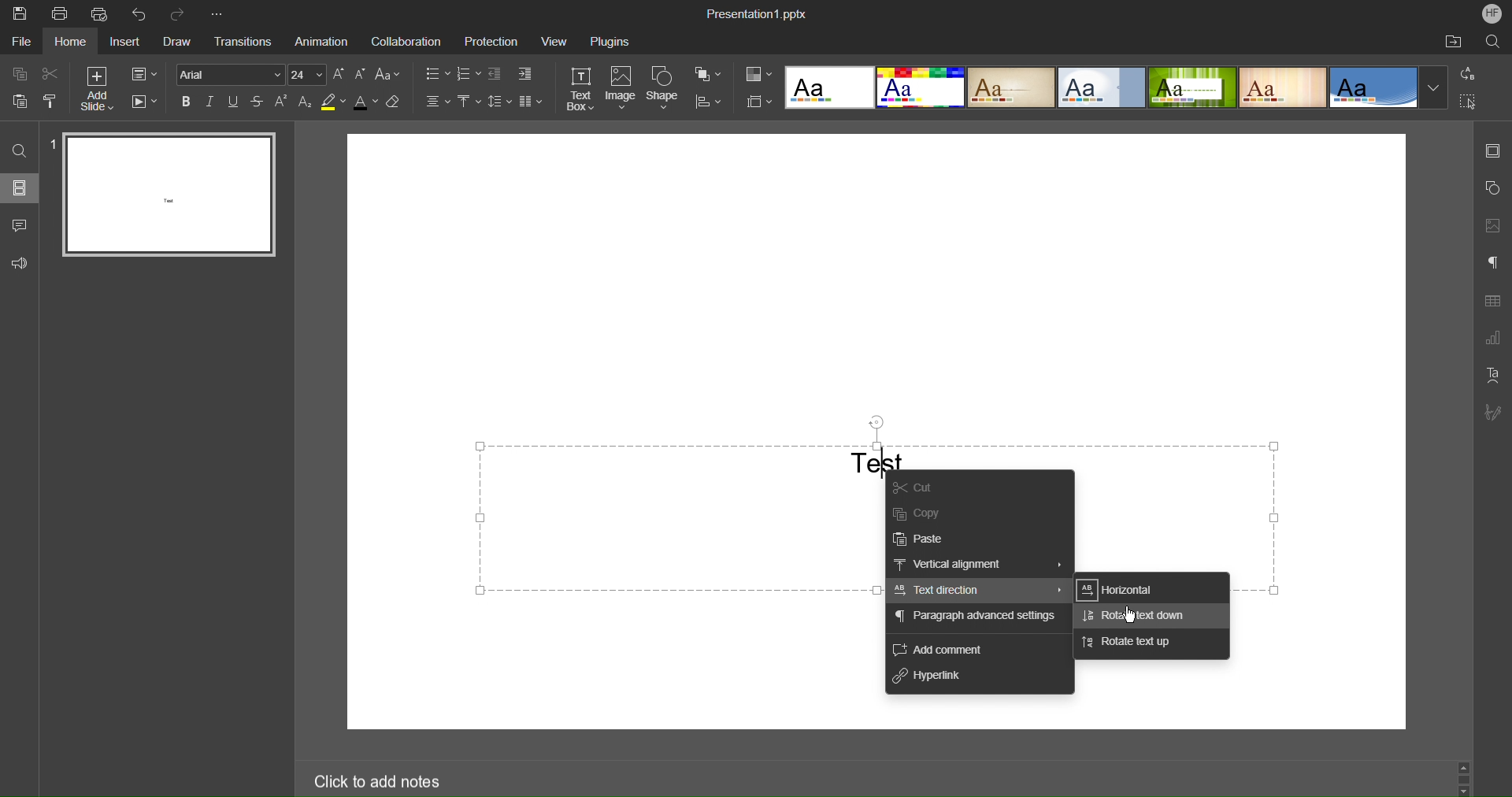 The image size is (1512, 797). I want to click on Increase Indent, so click(524, 74).